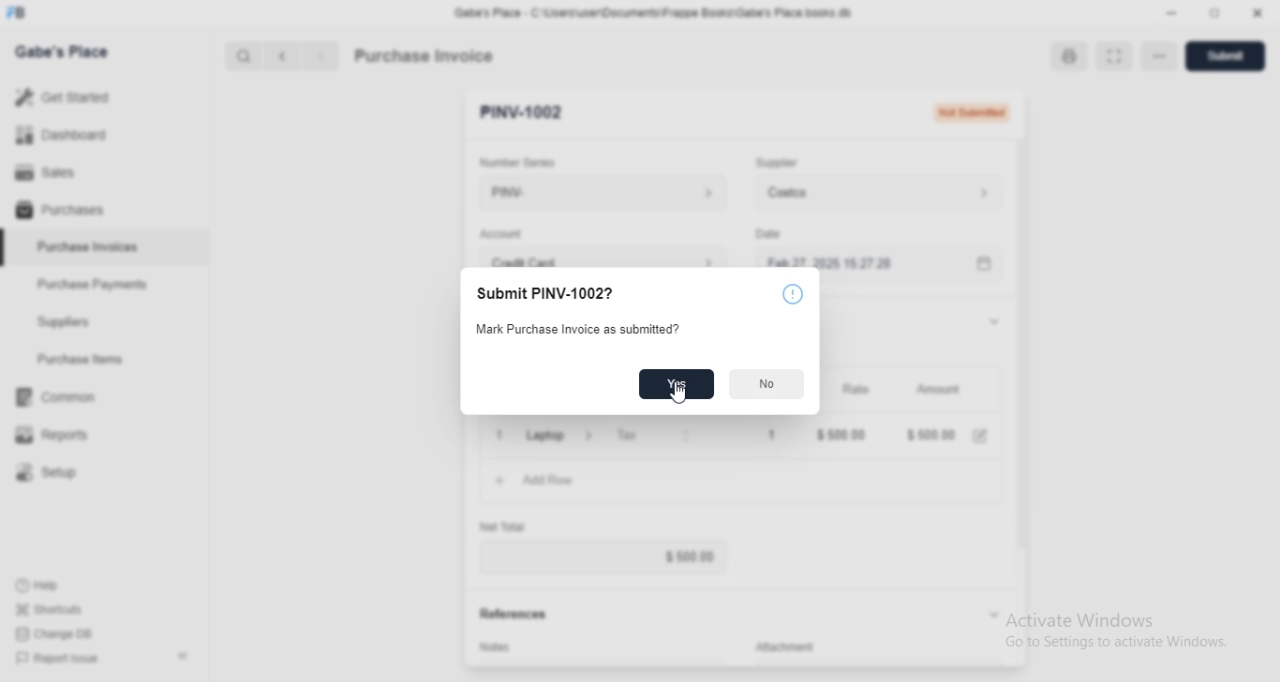 The height and width of the screenshot is (682, 1280). What do you see at coordinates (1117, 630) in the screenshot?
I see `Activate Windows Go to Settings to activate Windows.` at bounding box center [1117, 630].